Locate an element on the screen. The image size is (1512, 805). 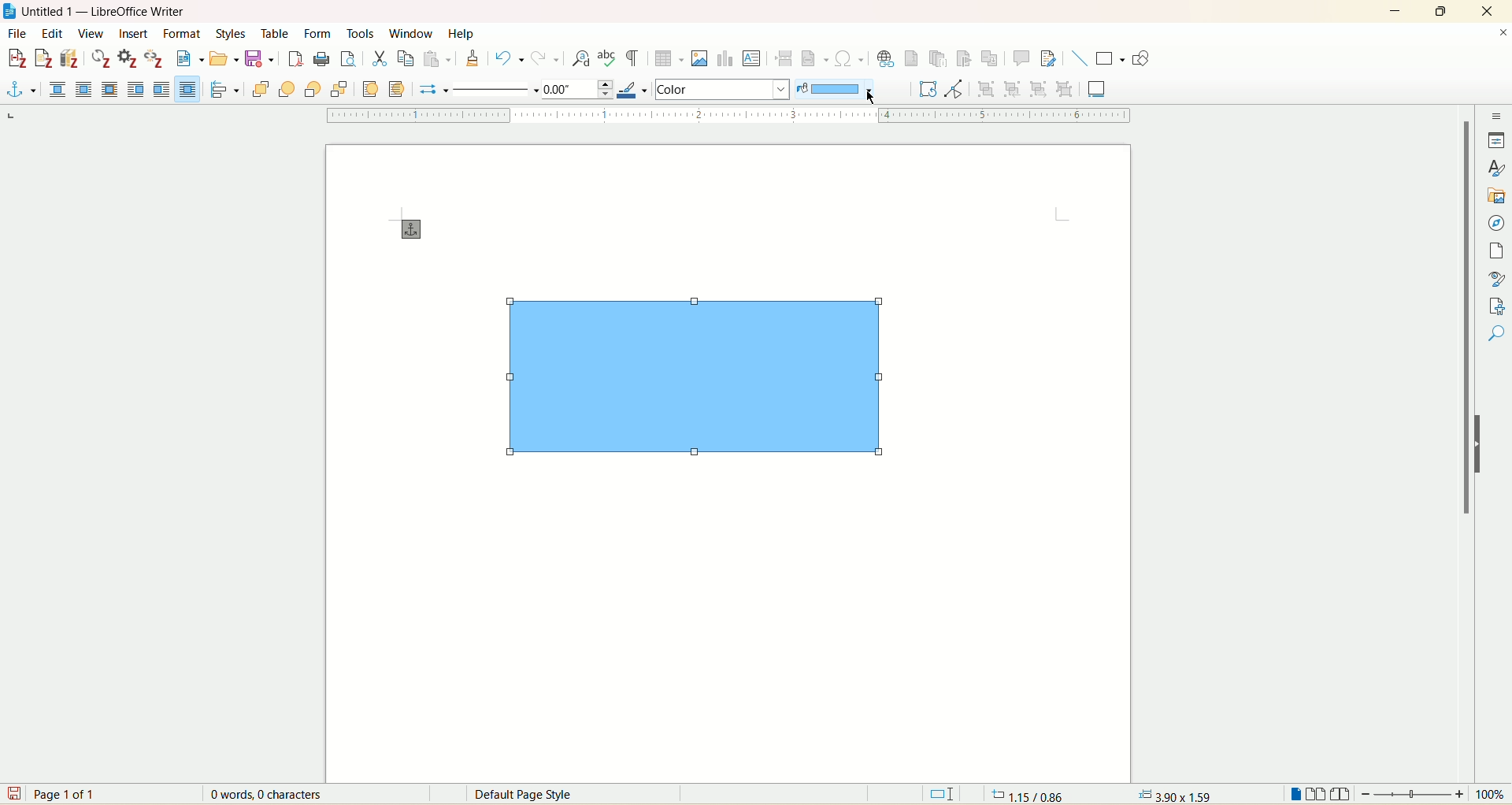
parallel is located at coordinates (83, 89).